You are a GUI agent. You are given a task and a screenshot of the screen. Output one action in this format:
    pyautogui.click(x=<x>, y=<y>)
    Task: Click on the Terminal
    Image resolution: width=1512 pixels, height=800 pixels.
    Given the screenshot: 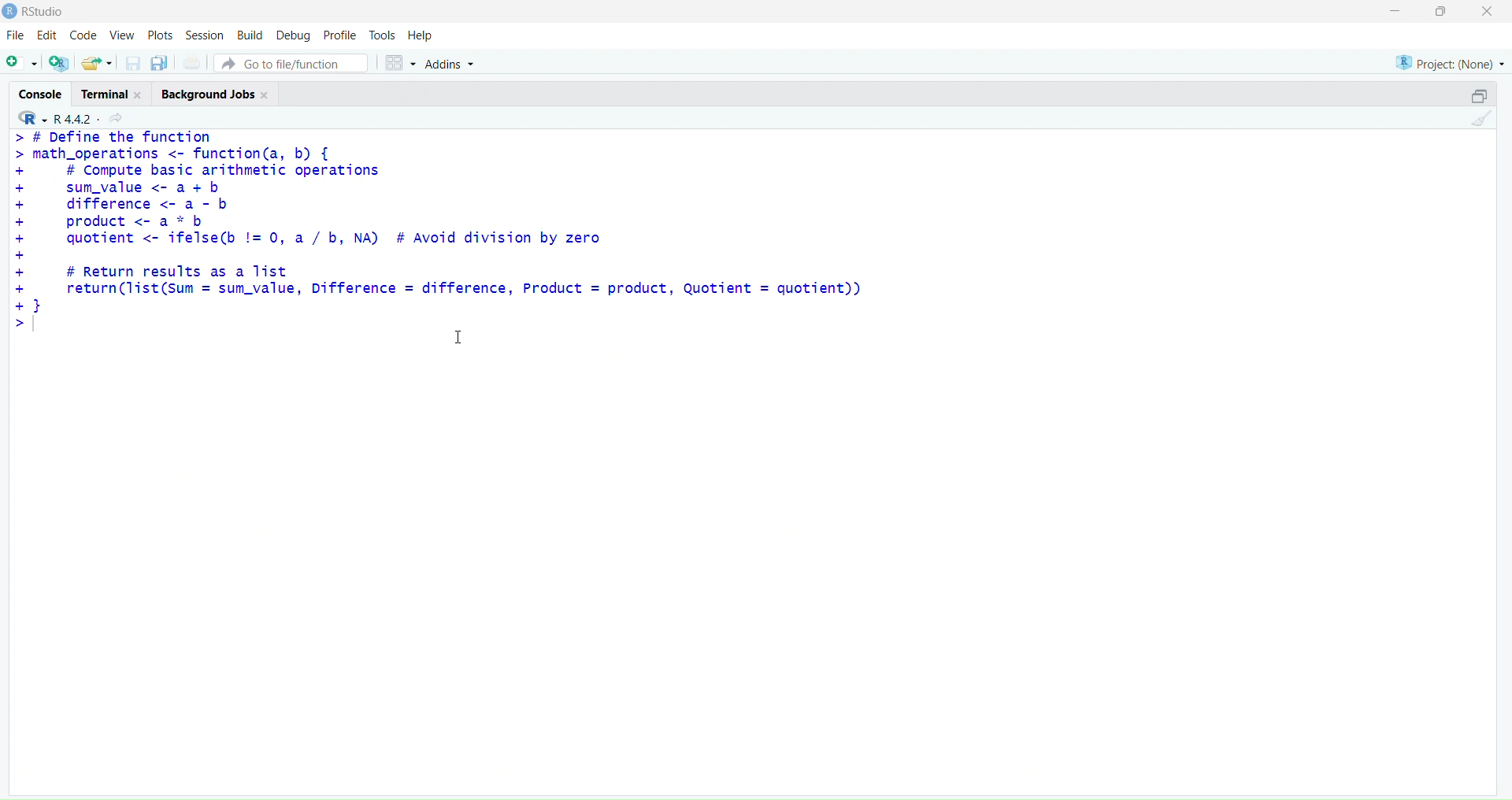 What is the action you would take?
    pyautogui.click(x=116, y=91)
    